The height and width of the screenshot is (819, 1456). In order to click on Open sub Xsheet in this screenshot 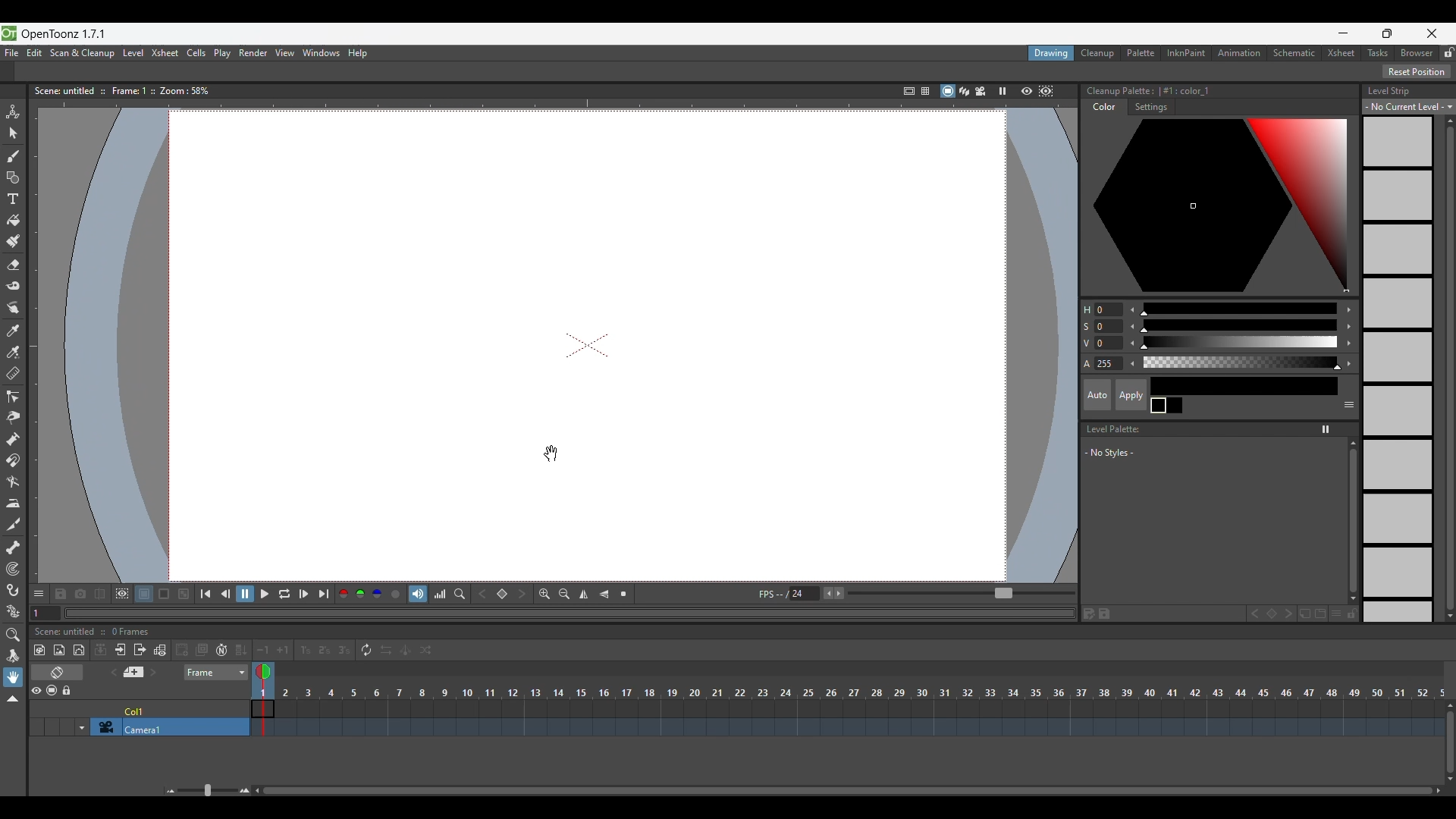, I will do `click(120, 650)`.